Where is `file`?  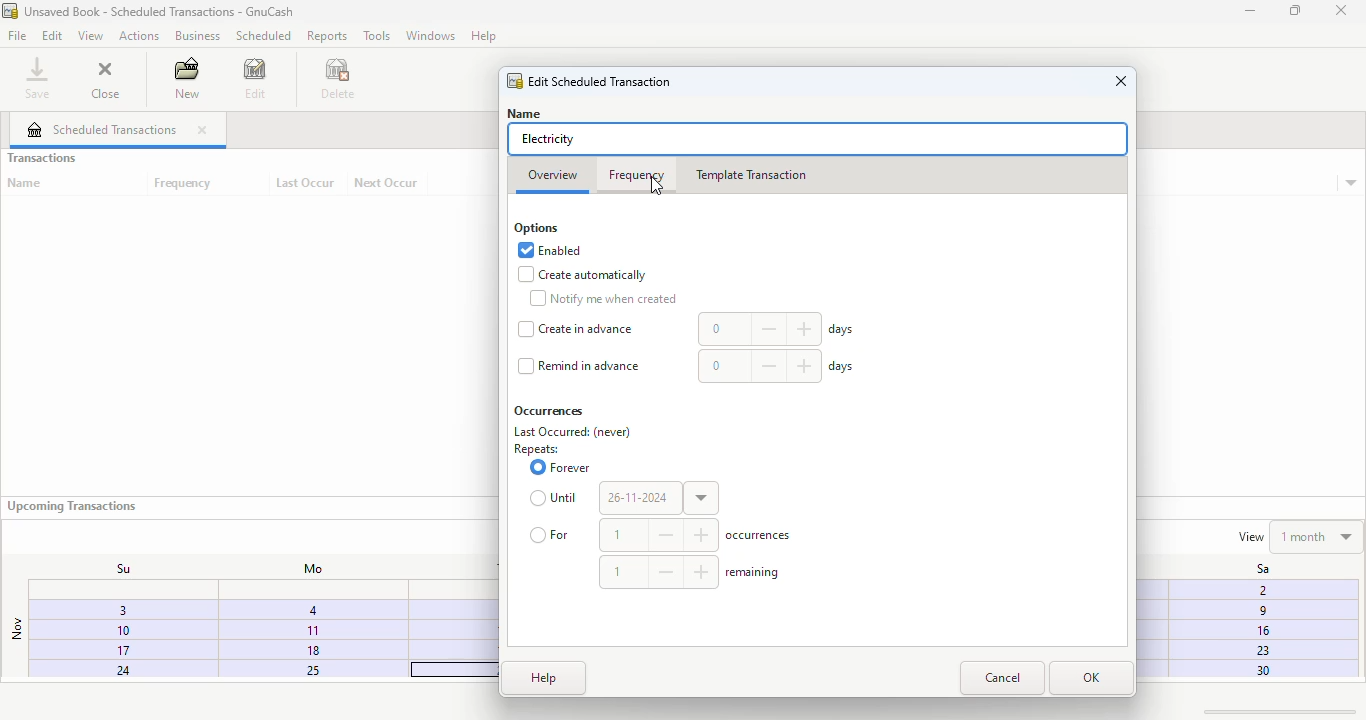 file is located at coordinates (17, 35).